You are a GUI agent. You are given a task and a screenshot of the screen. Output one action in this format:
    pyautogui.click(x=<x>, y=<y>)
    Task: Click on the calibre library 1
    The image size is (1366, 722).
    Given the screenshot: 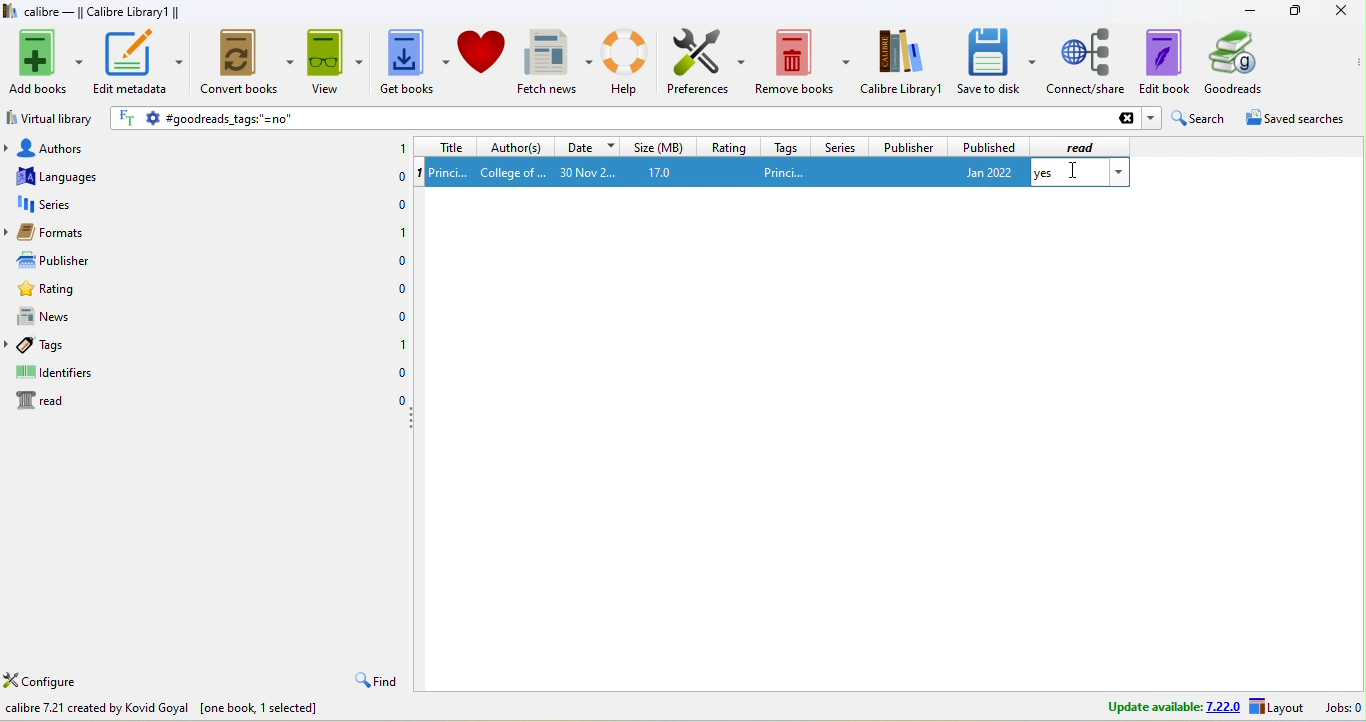 What is the action you would take?
    pyautogui.click(x=902, y=61)
    